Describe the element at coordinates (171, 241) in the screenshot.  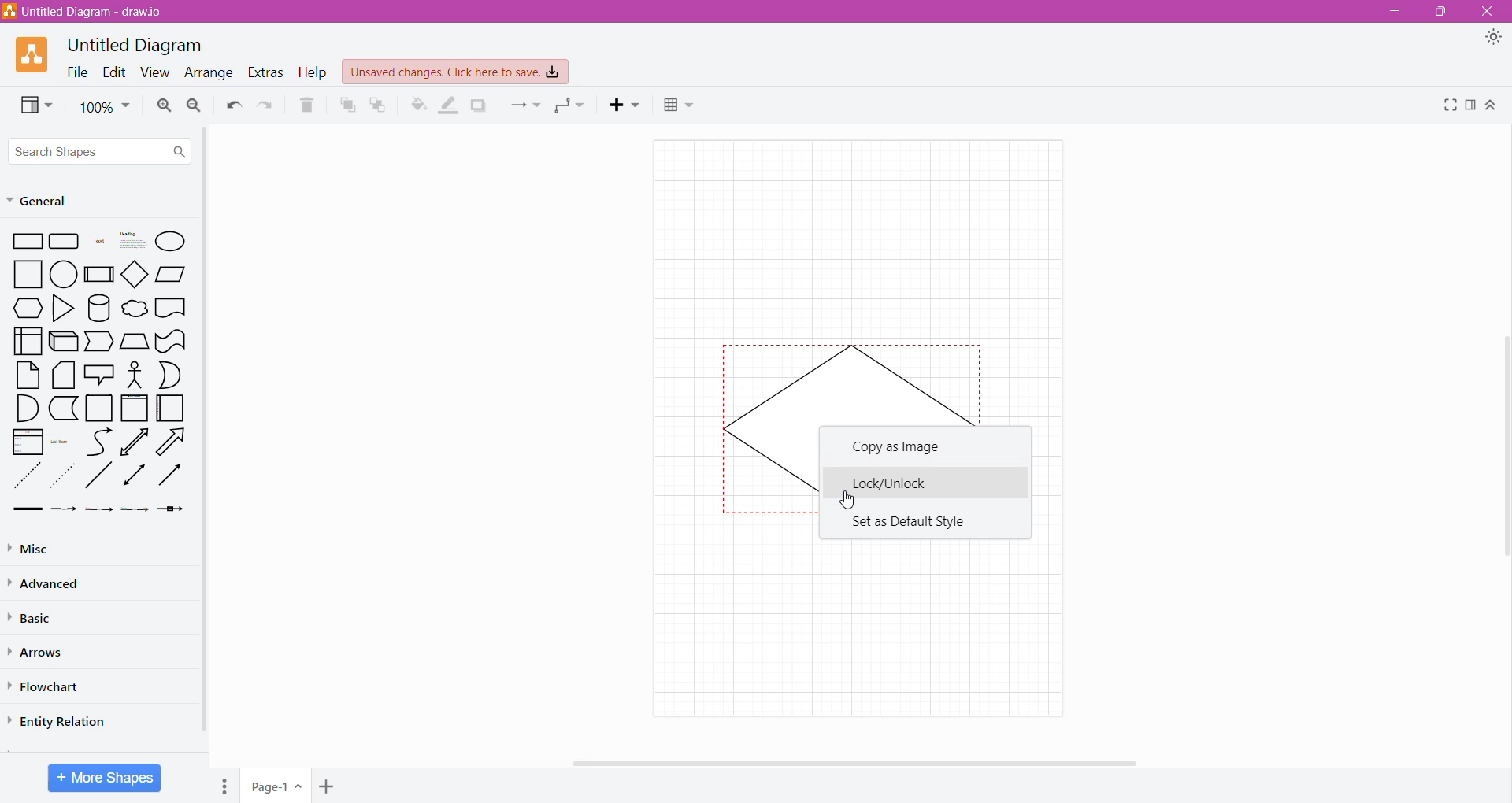
I see `Ellipse` at that location.